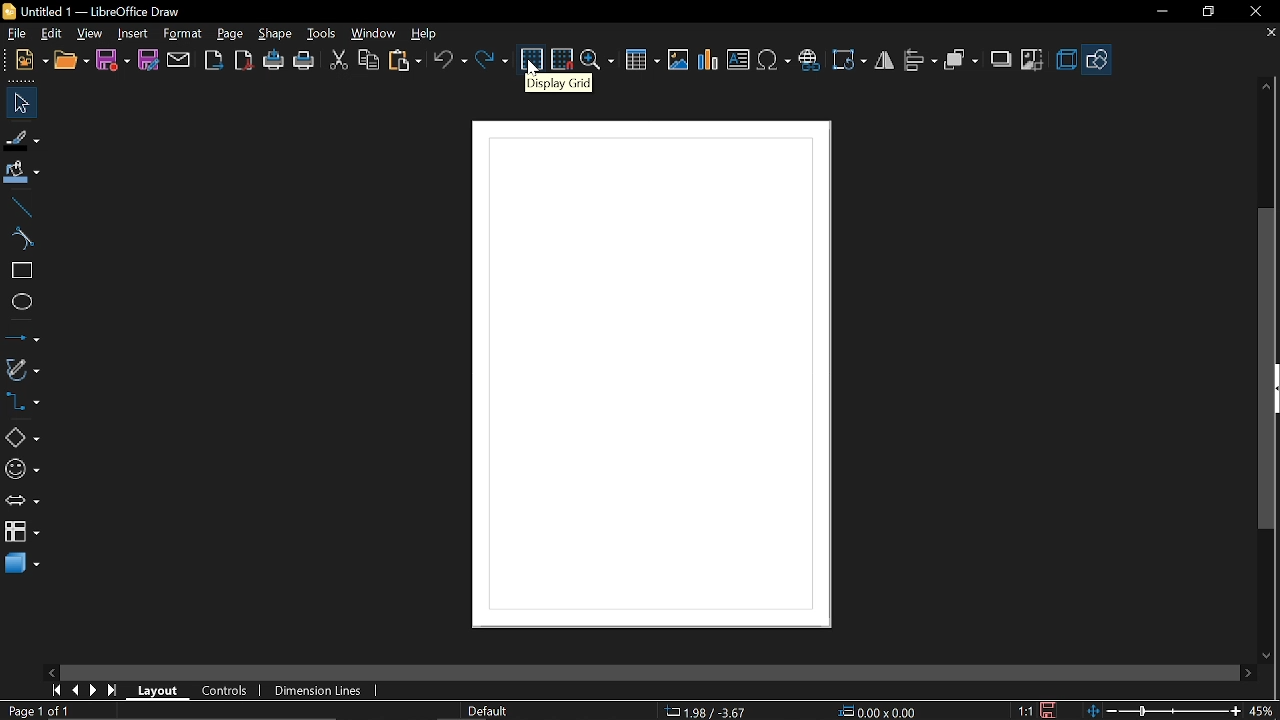 This screenshot has height=720, width=1280. What do you see at coordinates (557, 84) in the screenshot?
I see `Display grid` at bounding box center [557, 84].